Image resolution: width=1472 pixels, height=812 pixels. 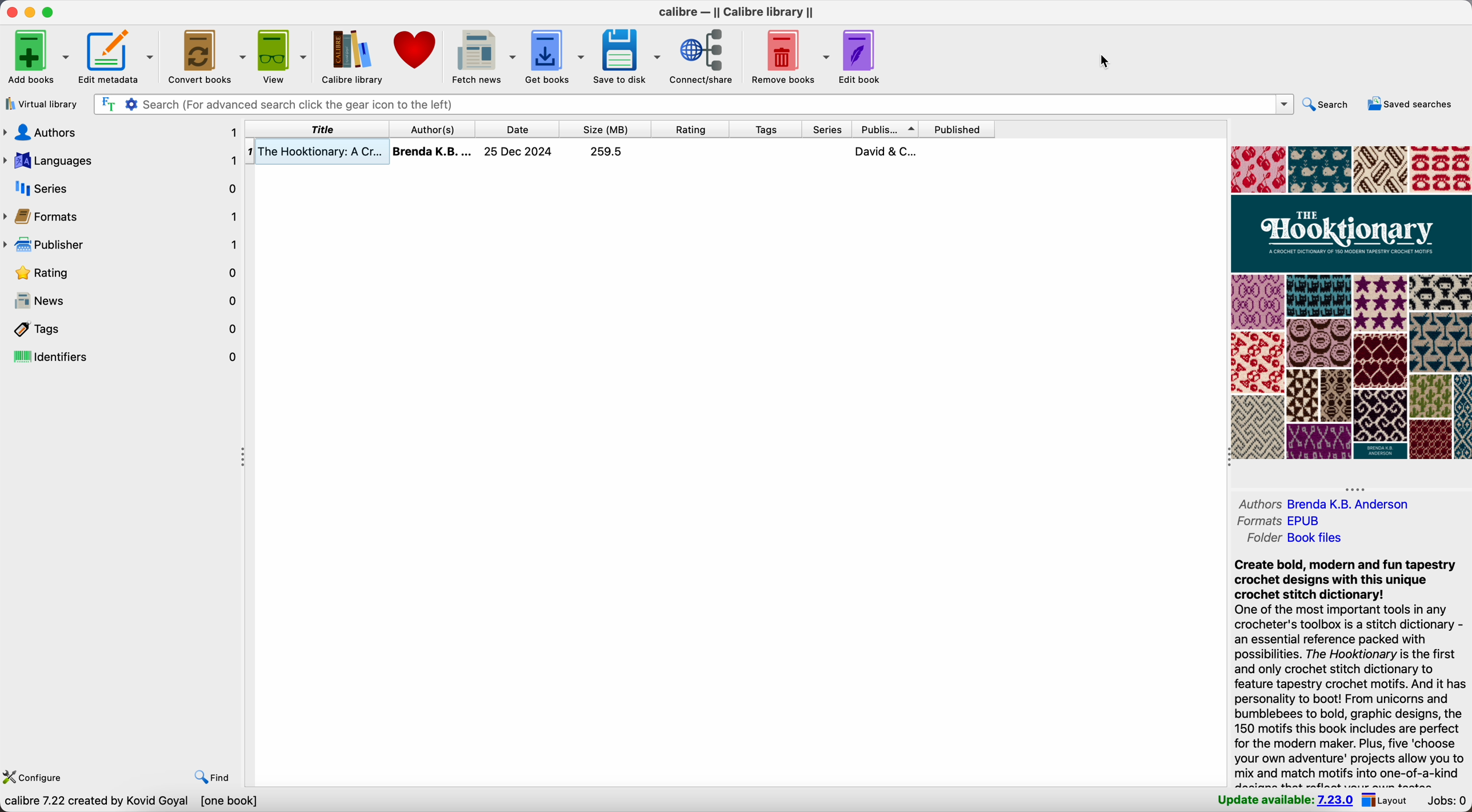 What do you see at coordinates (1330, 105) in the screenshot?
I see `search` at bounding box center [1330, 105].